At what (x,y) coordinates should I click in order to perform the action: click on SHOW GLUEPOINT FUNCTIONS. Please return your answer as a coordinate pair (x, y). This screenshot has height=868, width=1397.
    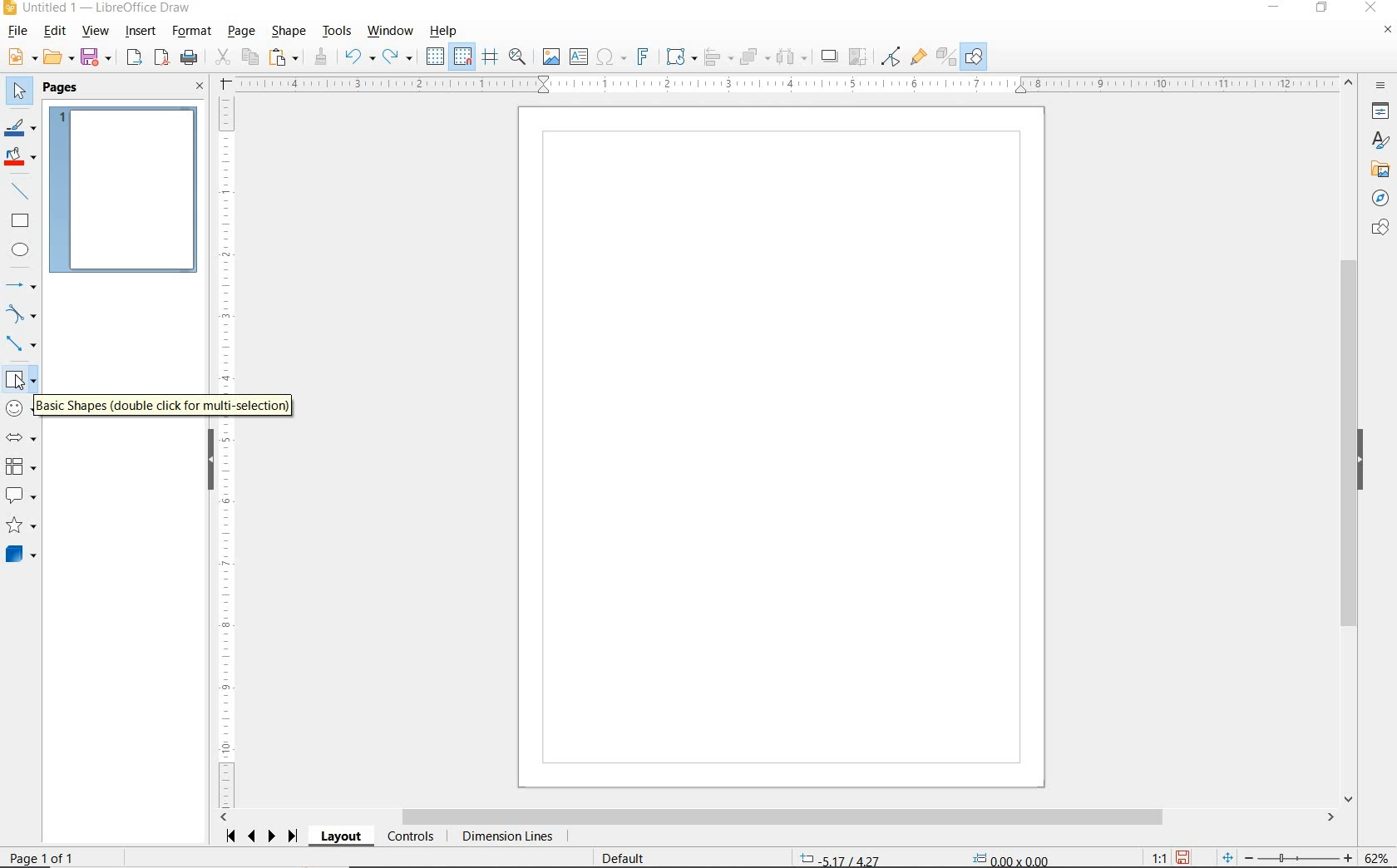
    Looking at the image, I should click on (917, 56).